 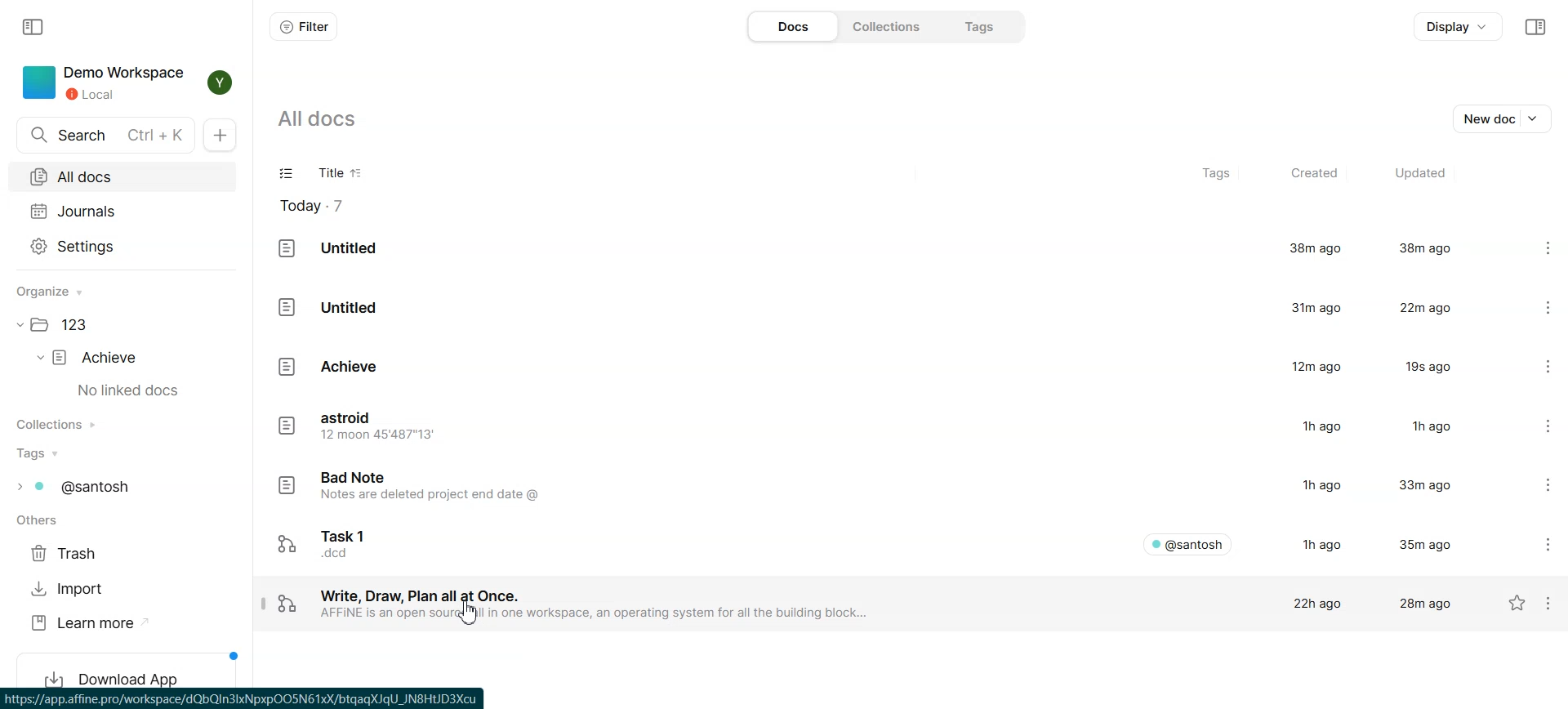 I want to click on all docs, so click(x=328, y=118).